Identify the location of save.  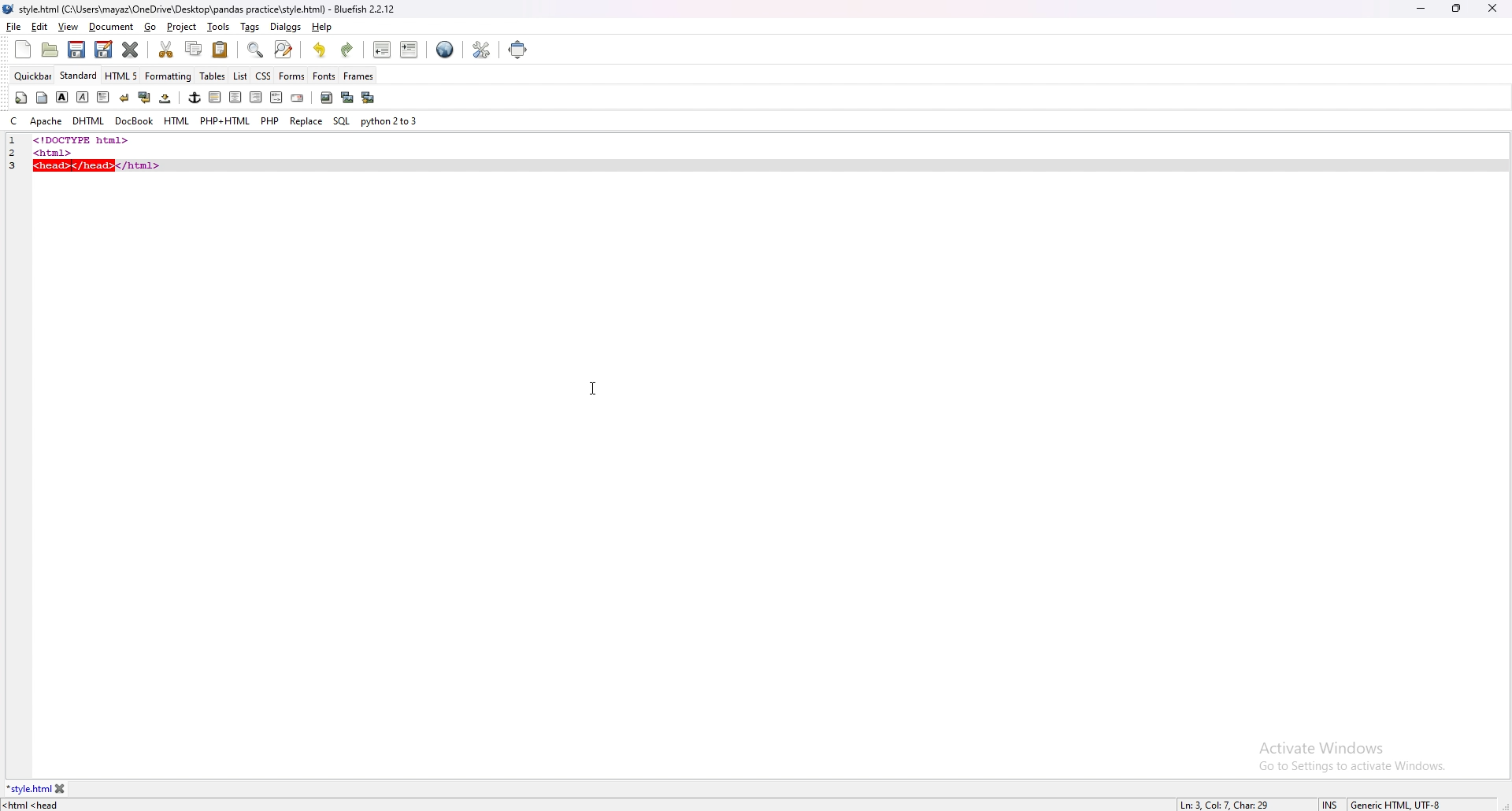
(77, 50).